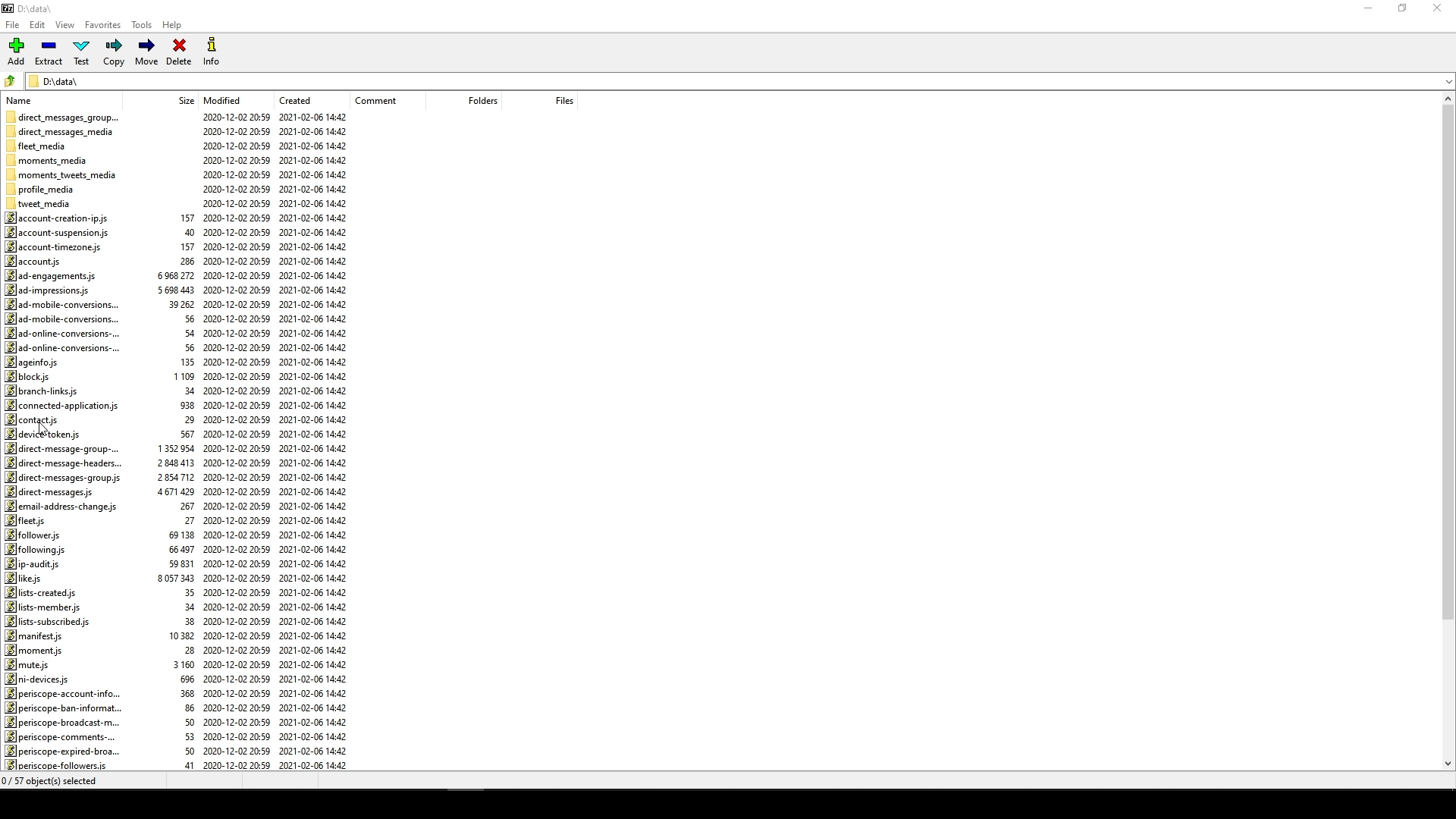 The height and width of the screenshot is (819, 1456). I want to click on minimize, so click(1368, 13).